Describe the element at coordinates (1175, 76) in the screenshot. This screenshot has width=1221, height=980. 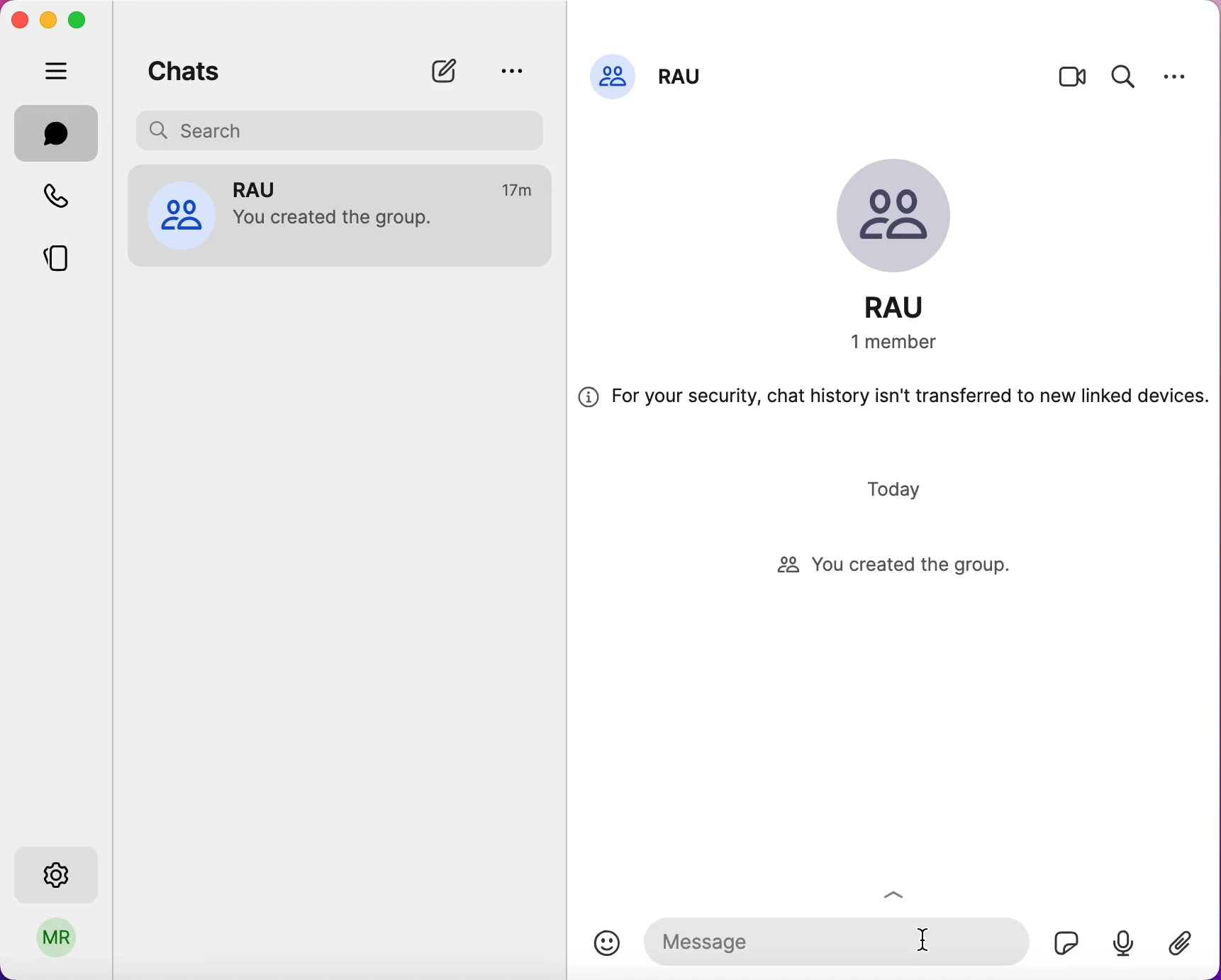
I see `settings` at that location.